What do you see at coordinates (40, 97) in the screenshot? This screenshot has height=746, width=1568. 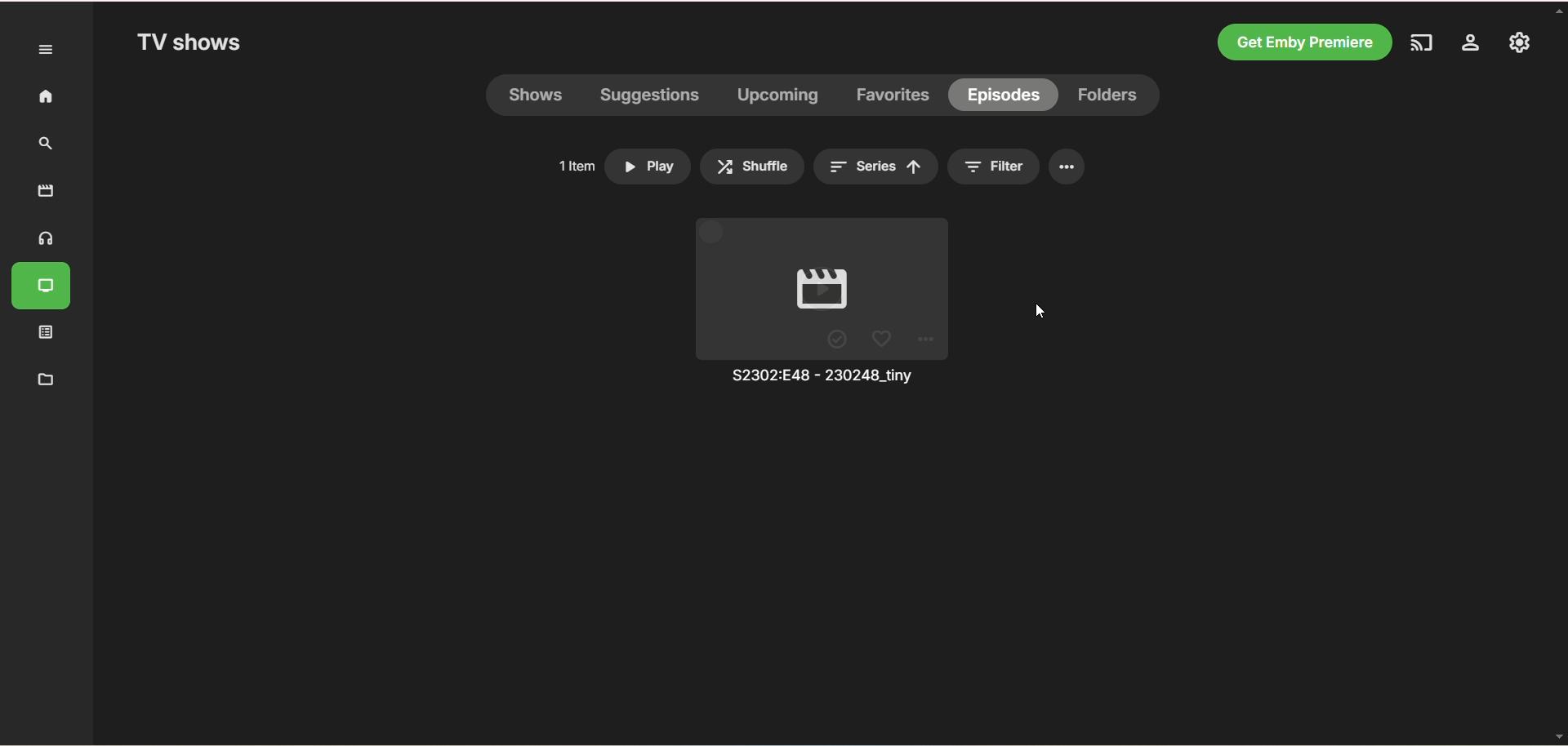 I see `home` at bounding box center [40, 97].